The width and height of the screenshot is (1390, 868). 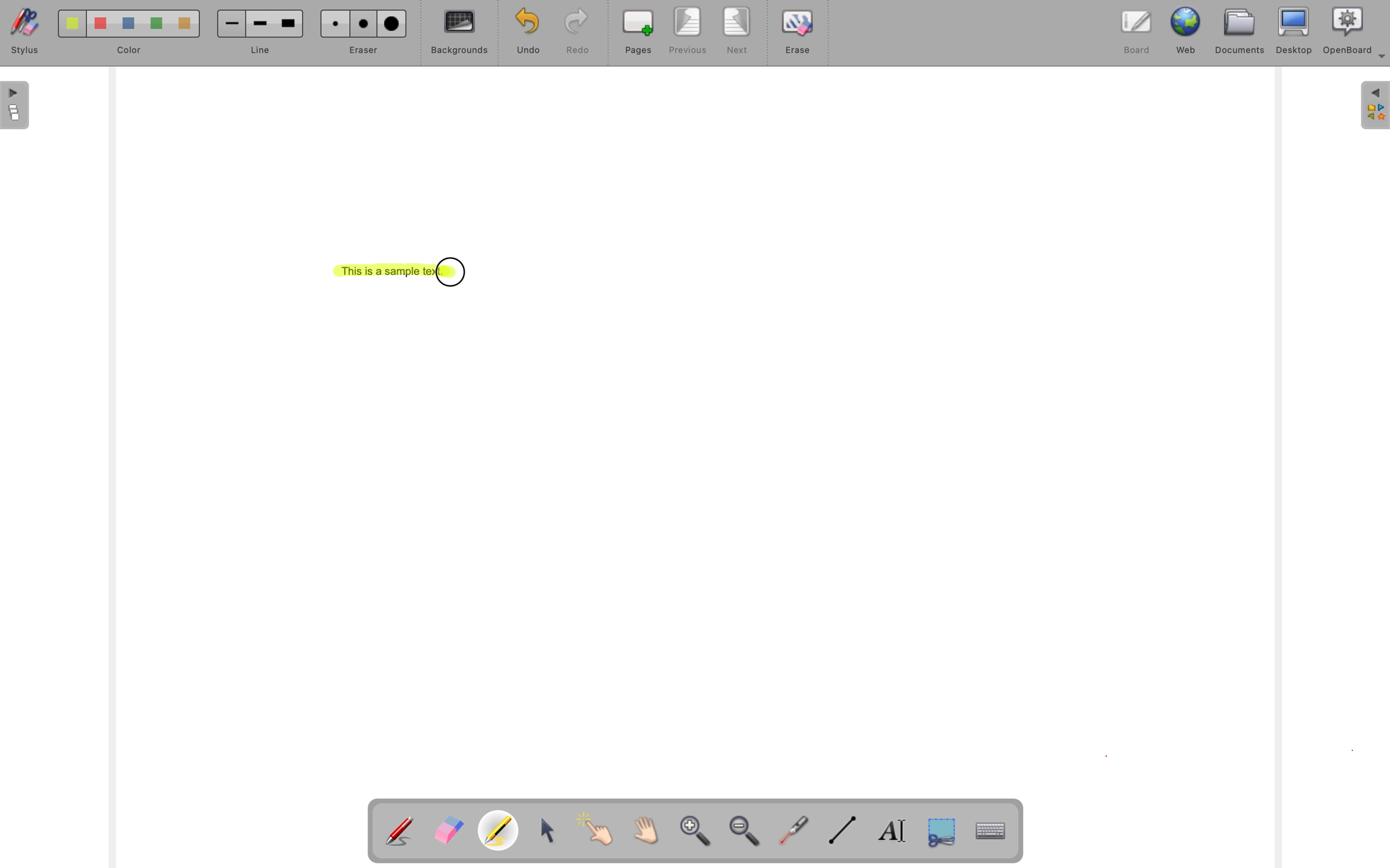 What do you see at coordinates (572, 33) in the screenshot?
I see `redo` at bounding box center [572, 33].